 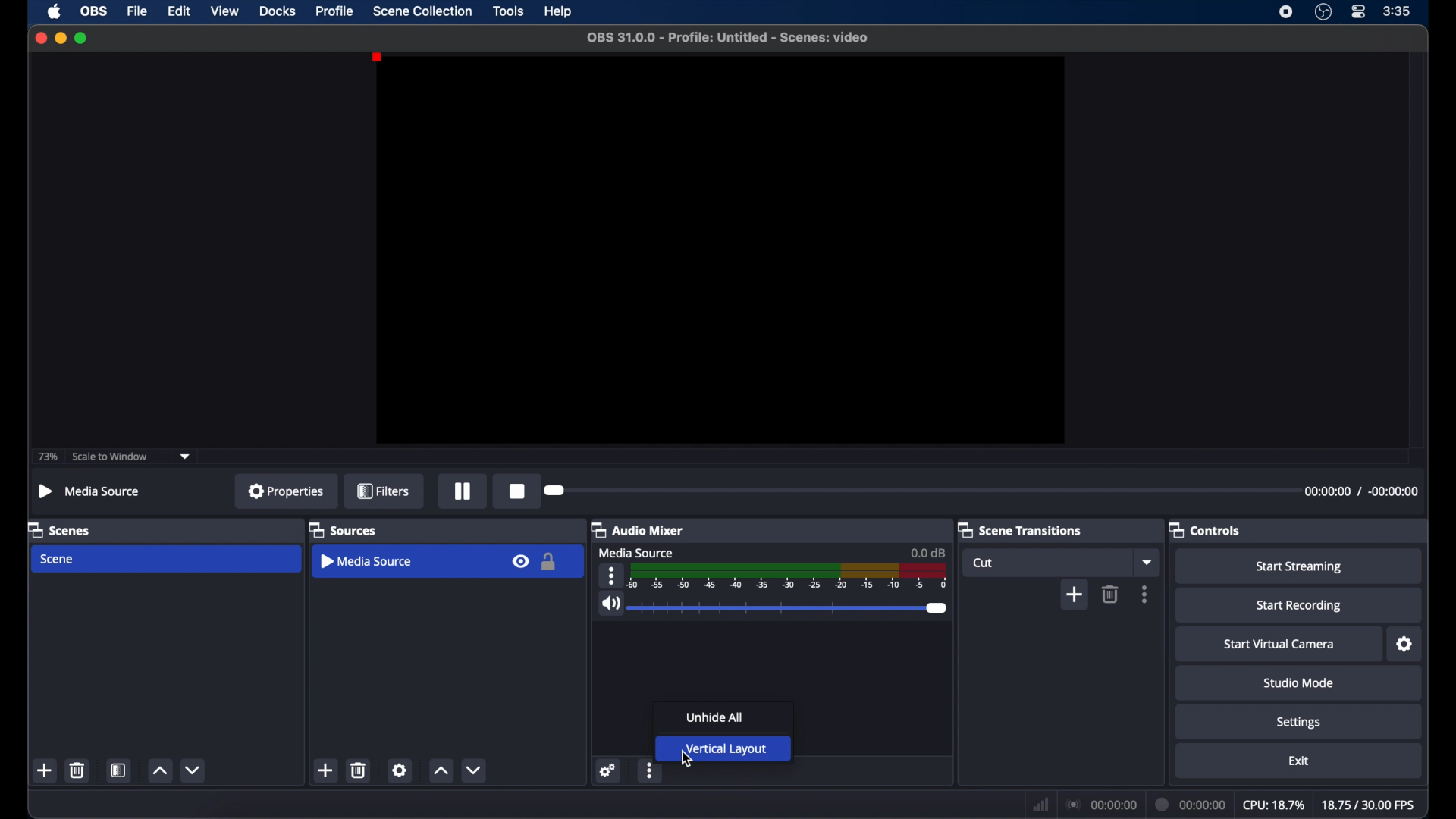 What do you see at coordinates (1145, 593) in the screenshot?
I see `more options` at bounding box center [1145, 593].